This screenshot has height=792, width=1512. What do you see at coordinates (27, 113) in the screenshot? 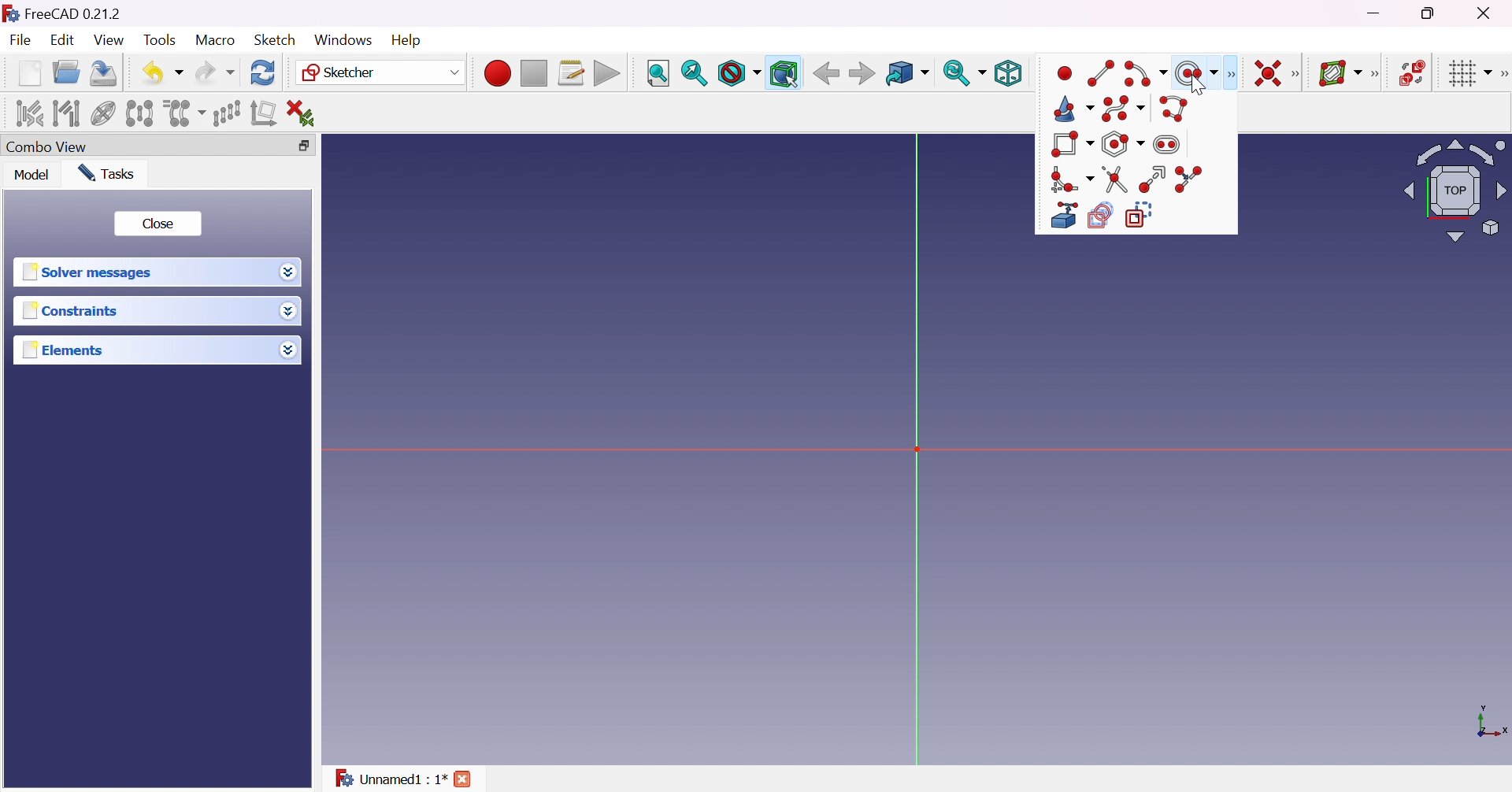
I see `Select associated constraints` at bounding box center [27, 113].